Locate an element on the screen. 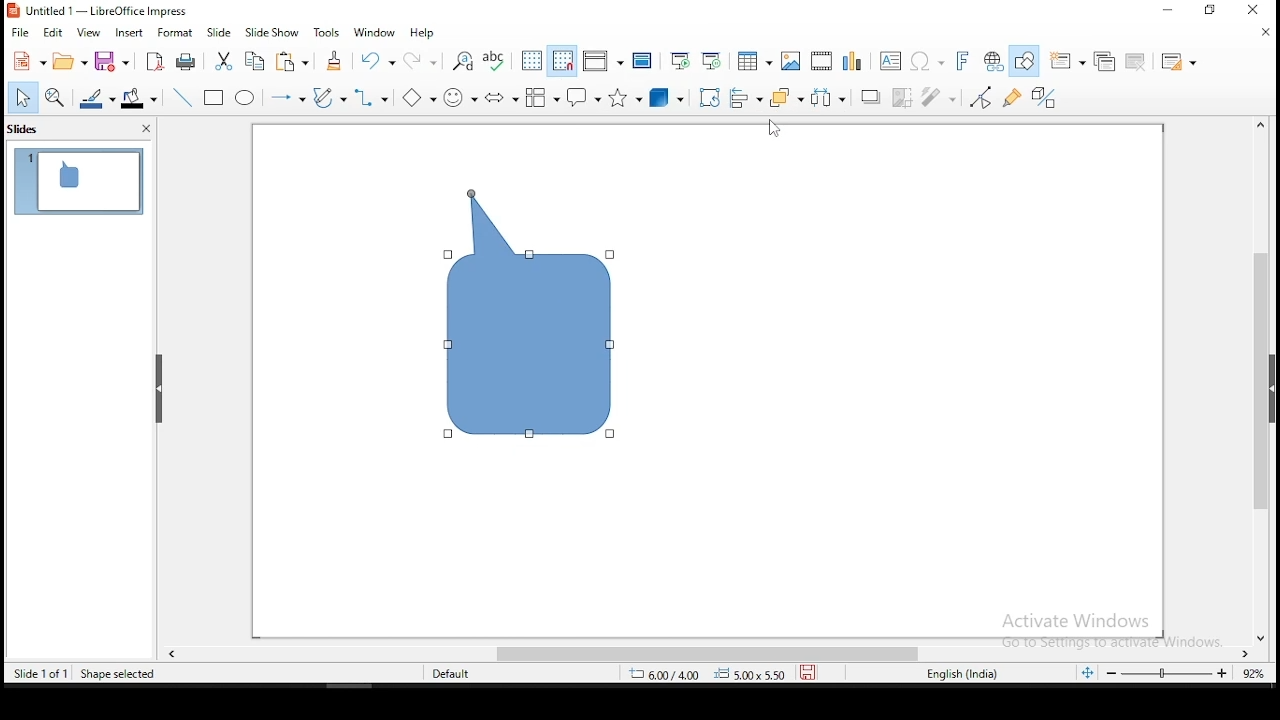 This screenshot has width=1280, height=720. save is located at coordinates (112, 61).